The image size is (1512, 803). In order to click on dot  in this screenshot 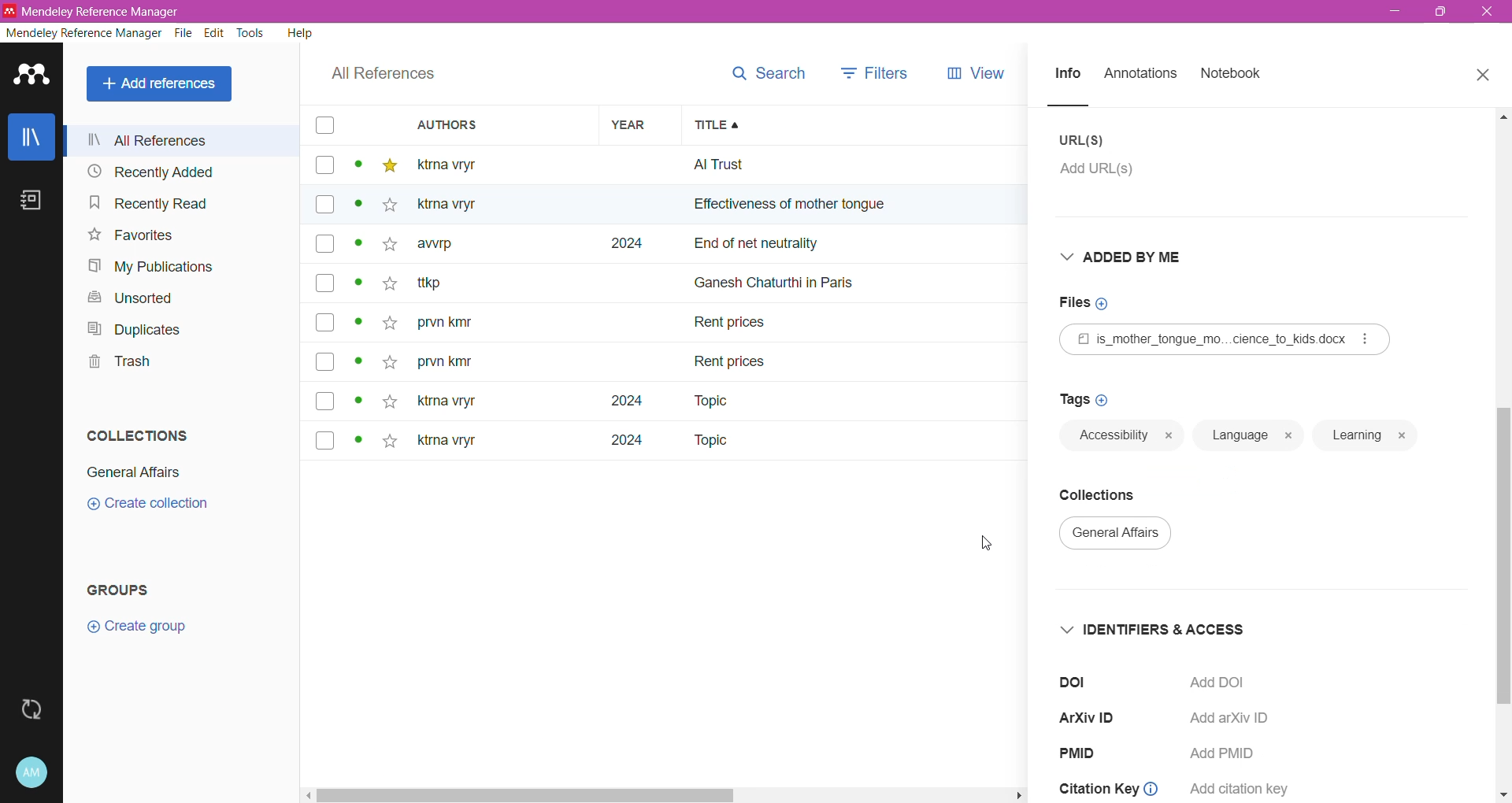, I will do `click(357, 326)`.